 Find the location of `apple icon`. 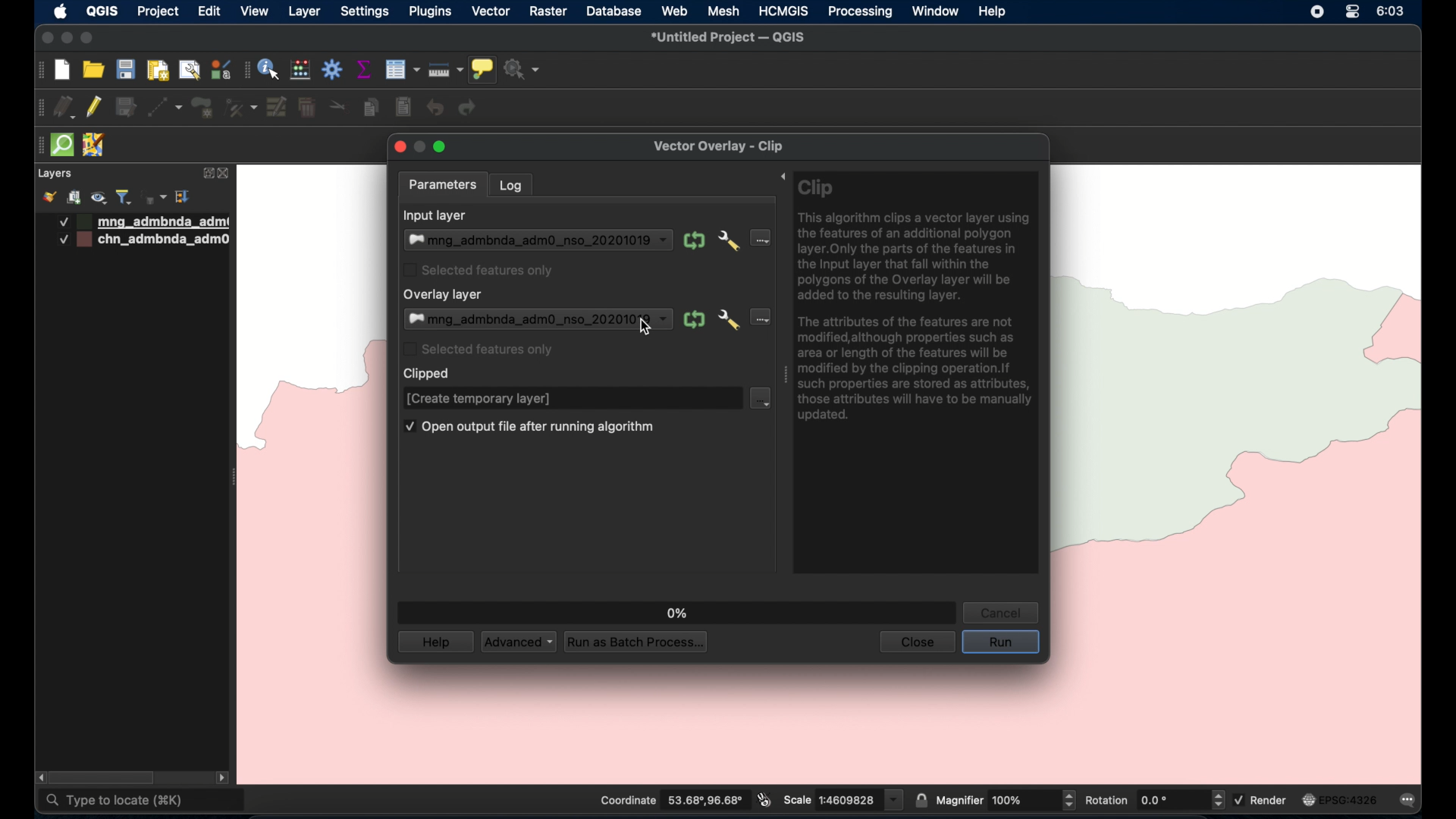

apple icon is located at coordinates (61, 11).